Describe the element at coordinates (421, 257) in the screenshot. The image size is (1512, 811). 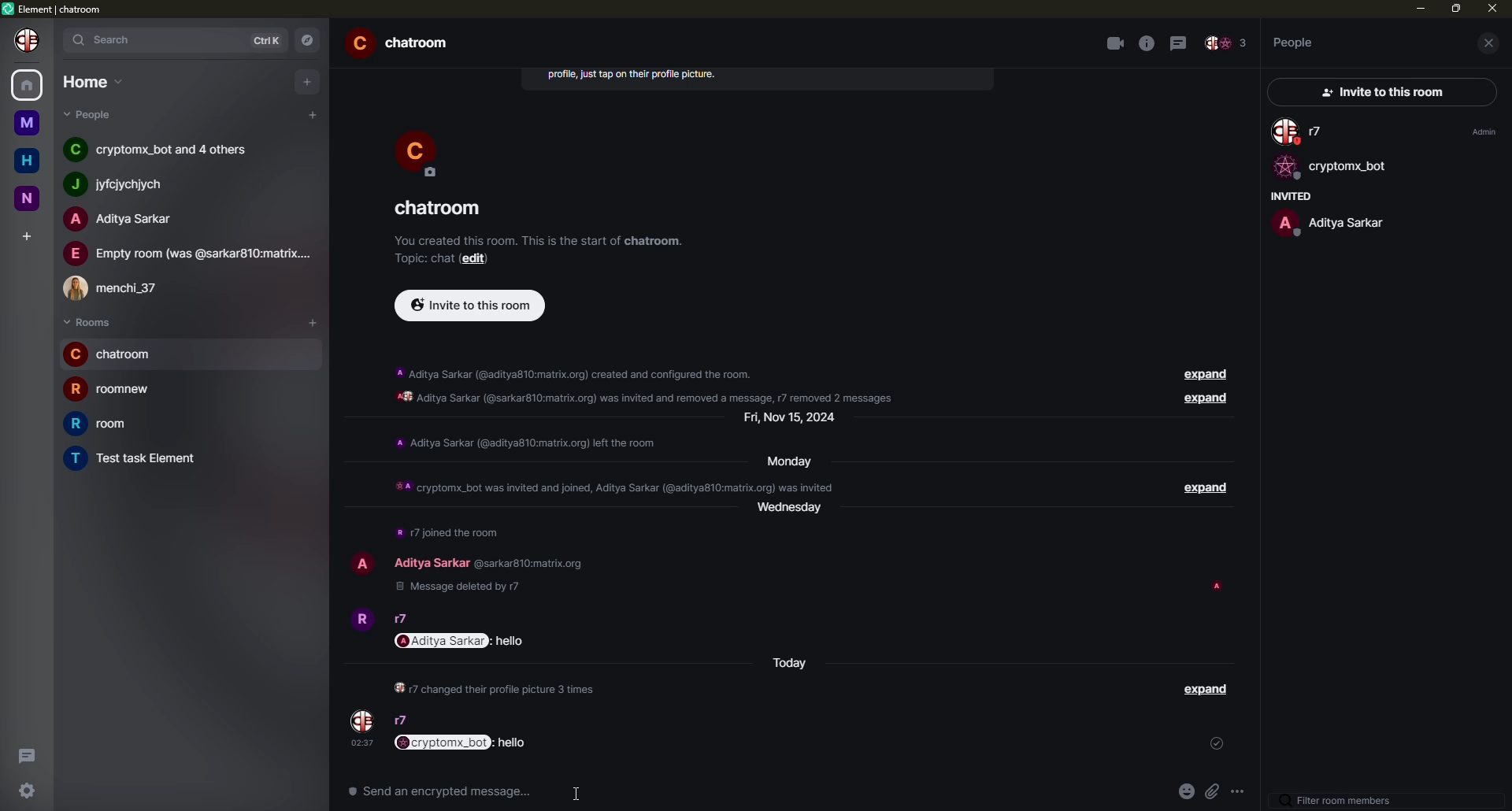
I see `topic` at that location.